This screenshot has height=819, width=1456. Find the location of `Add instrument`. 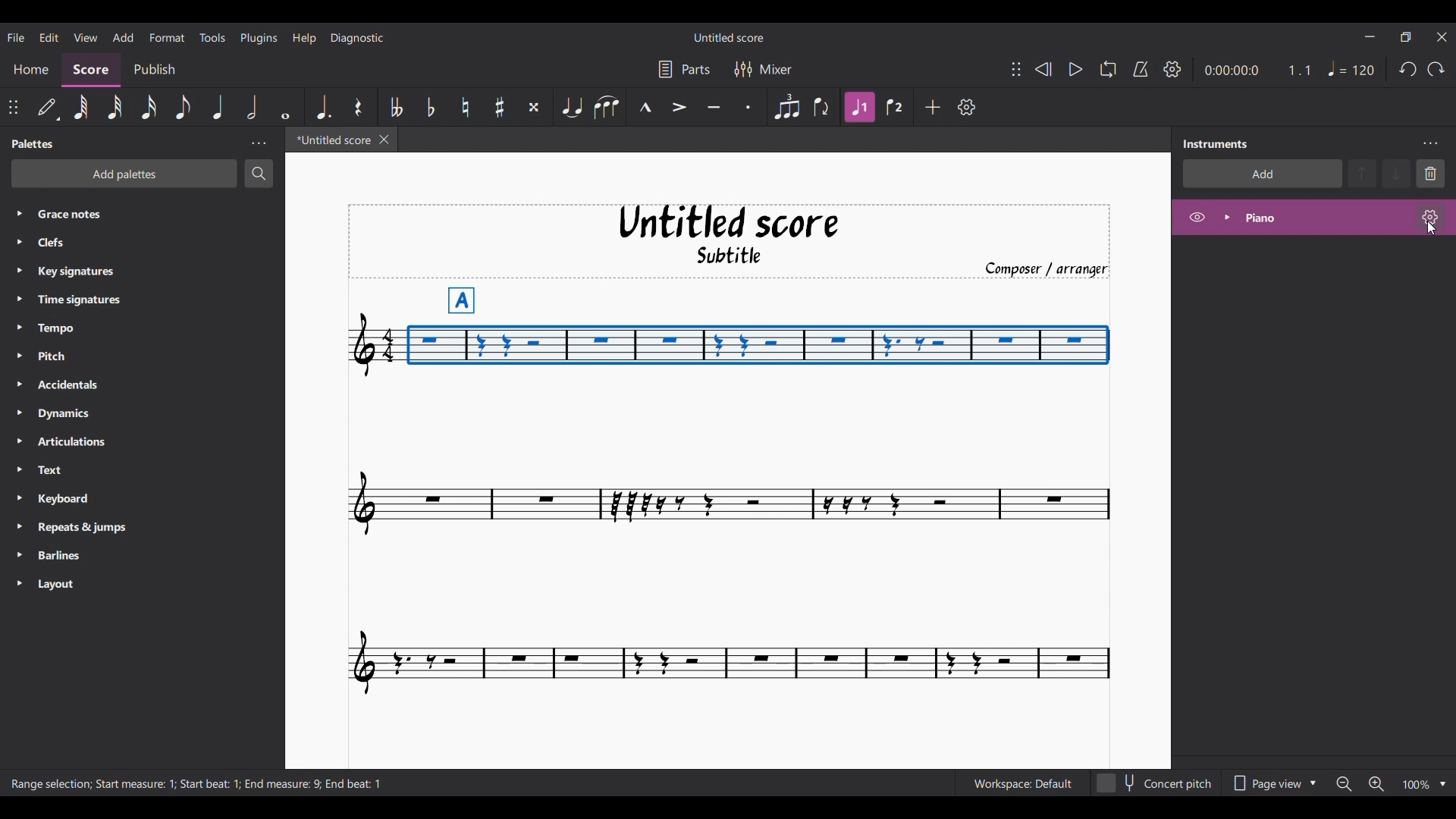

Add instrument is located at coordinates (1263, 174).